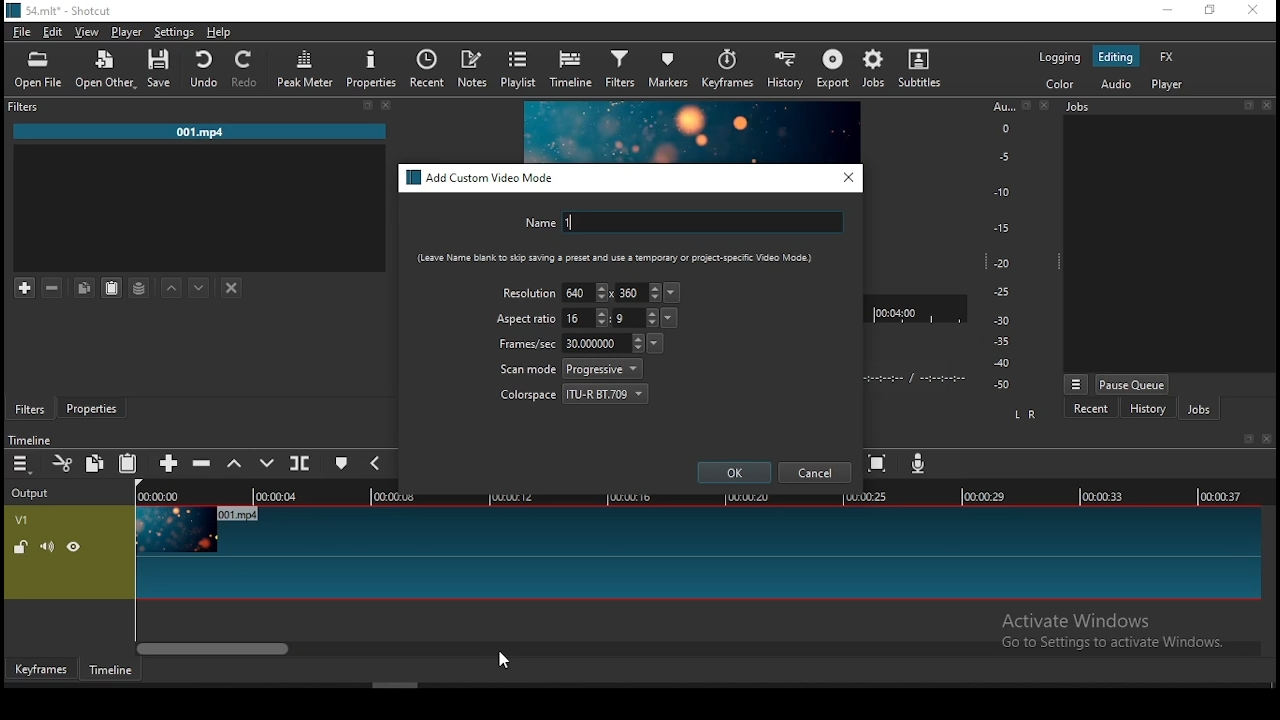 This screenshot has width=1280, height=720. Describe the element at coordinates (1059, 83) in the screenshot. I see `color` at that location.